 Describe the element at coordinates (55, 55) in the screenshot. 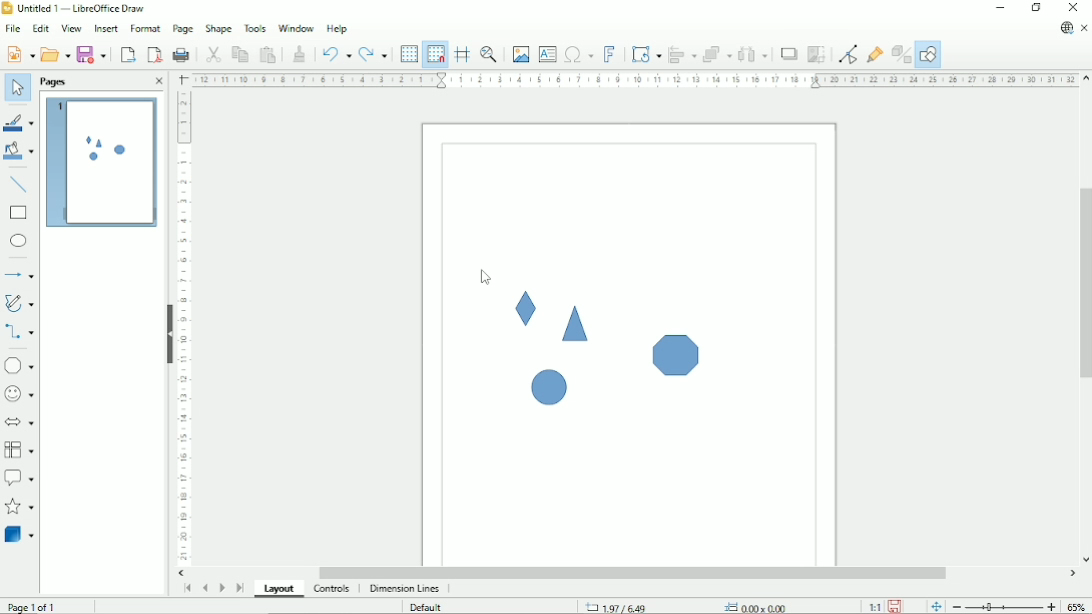

I see `Open ` at that location.